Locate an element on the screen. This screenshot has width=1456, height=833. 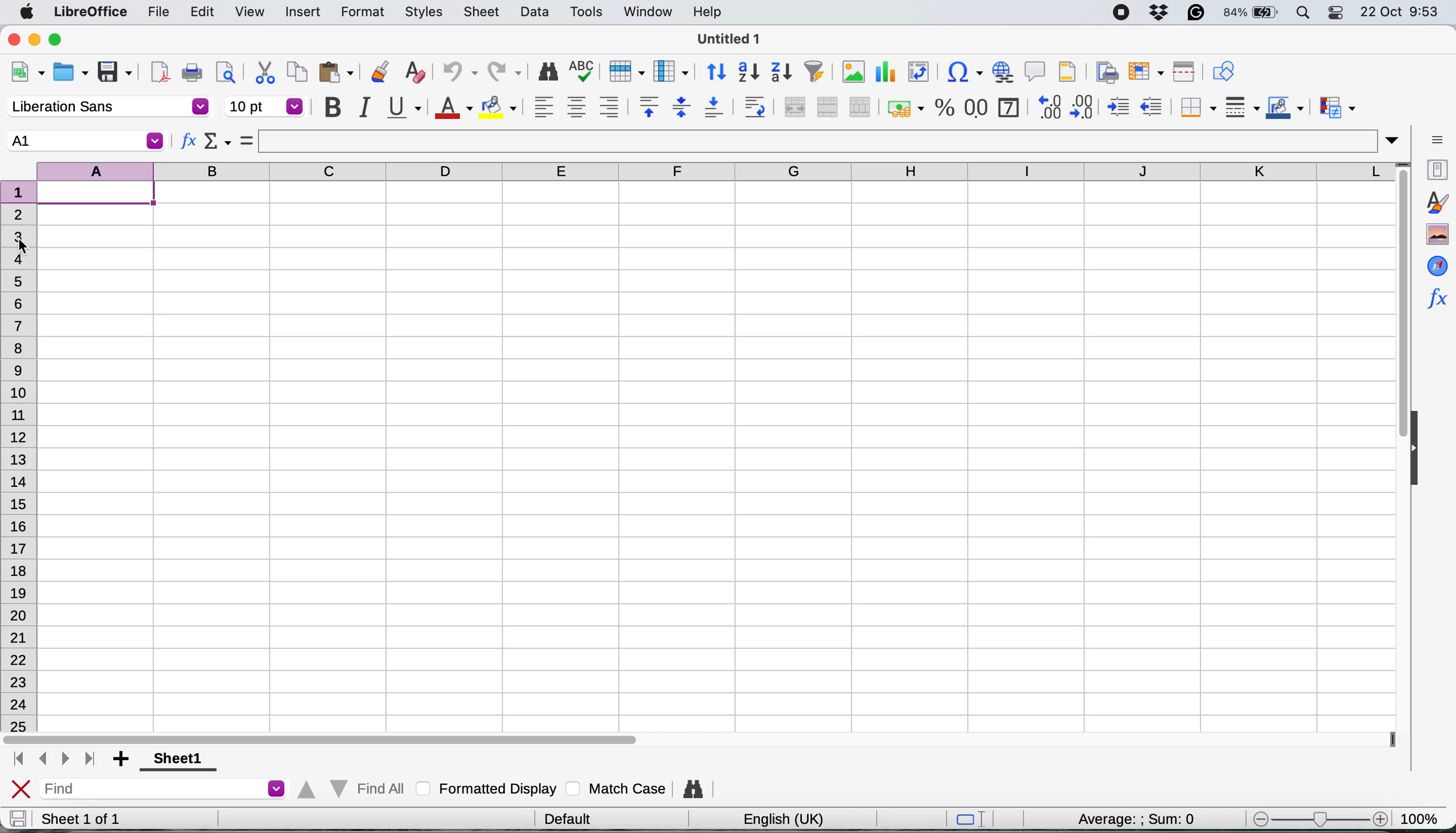
find is located at coordinates (166, 790).